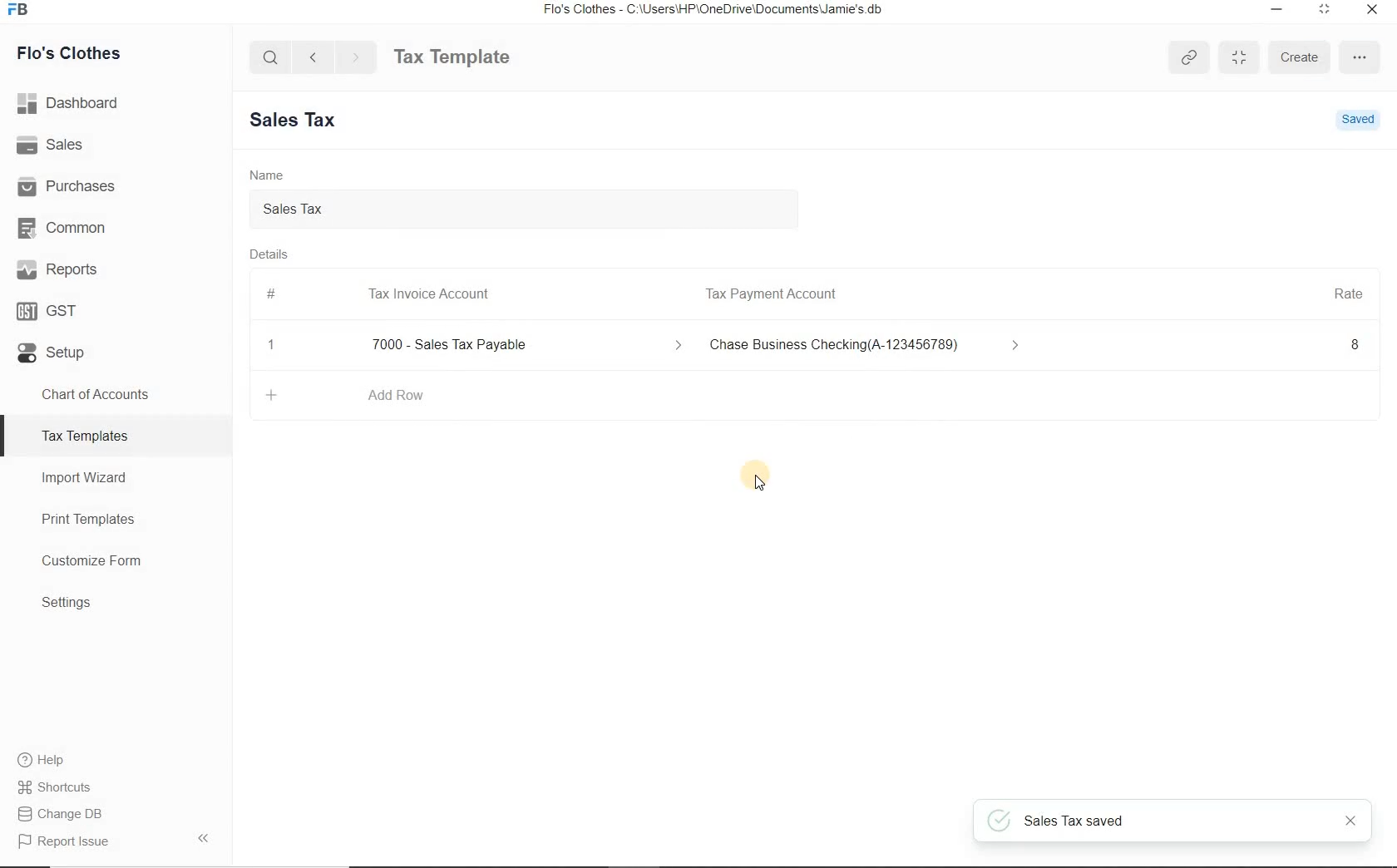  I want to click on Name, so click(267, 174).